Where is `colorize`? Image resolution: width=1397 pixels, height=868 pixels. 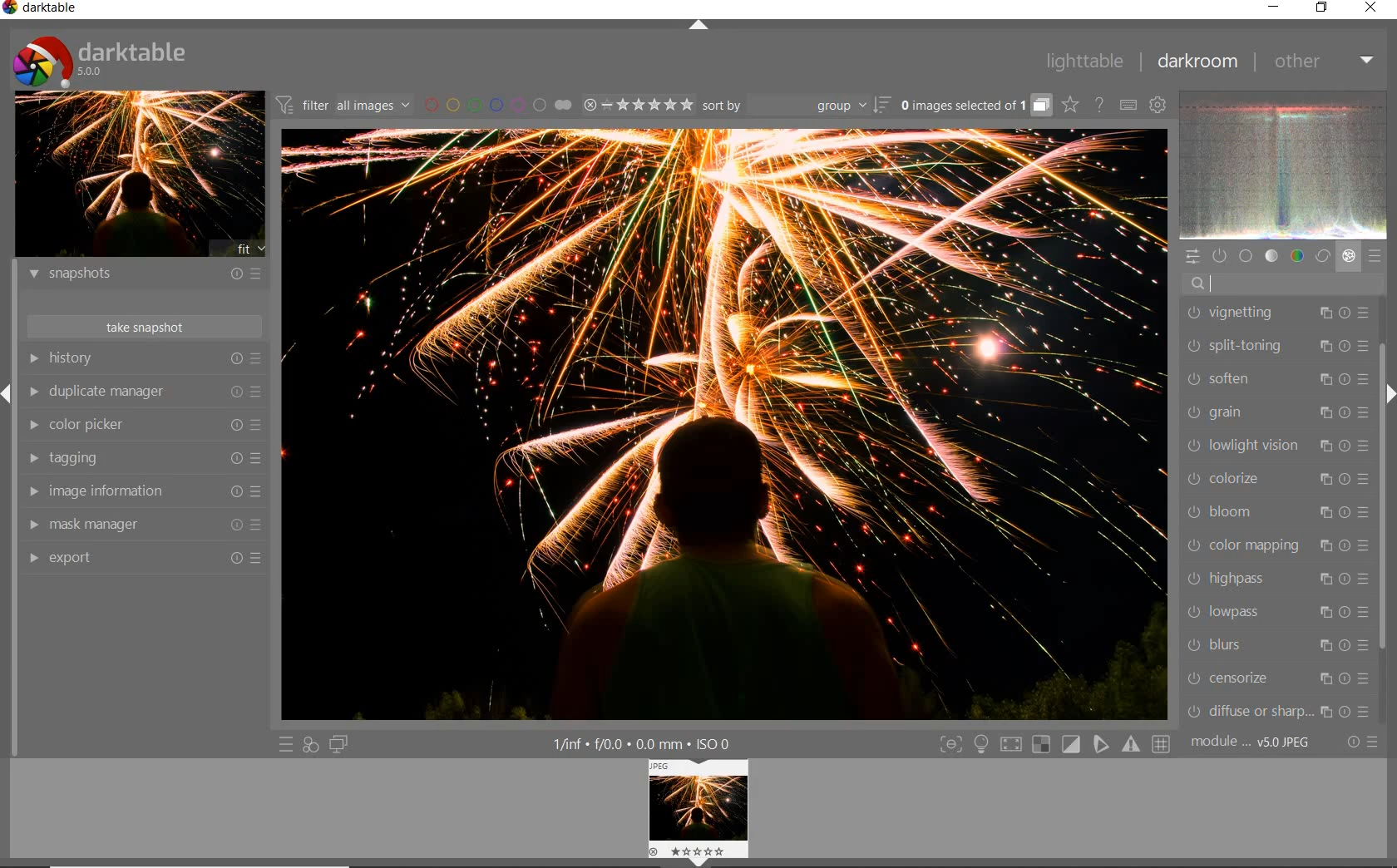
colorize is located at coordinates (1274, 481).